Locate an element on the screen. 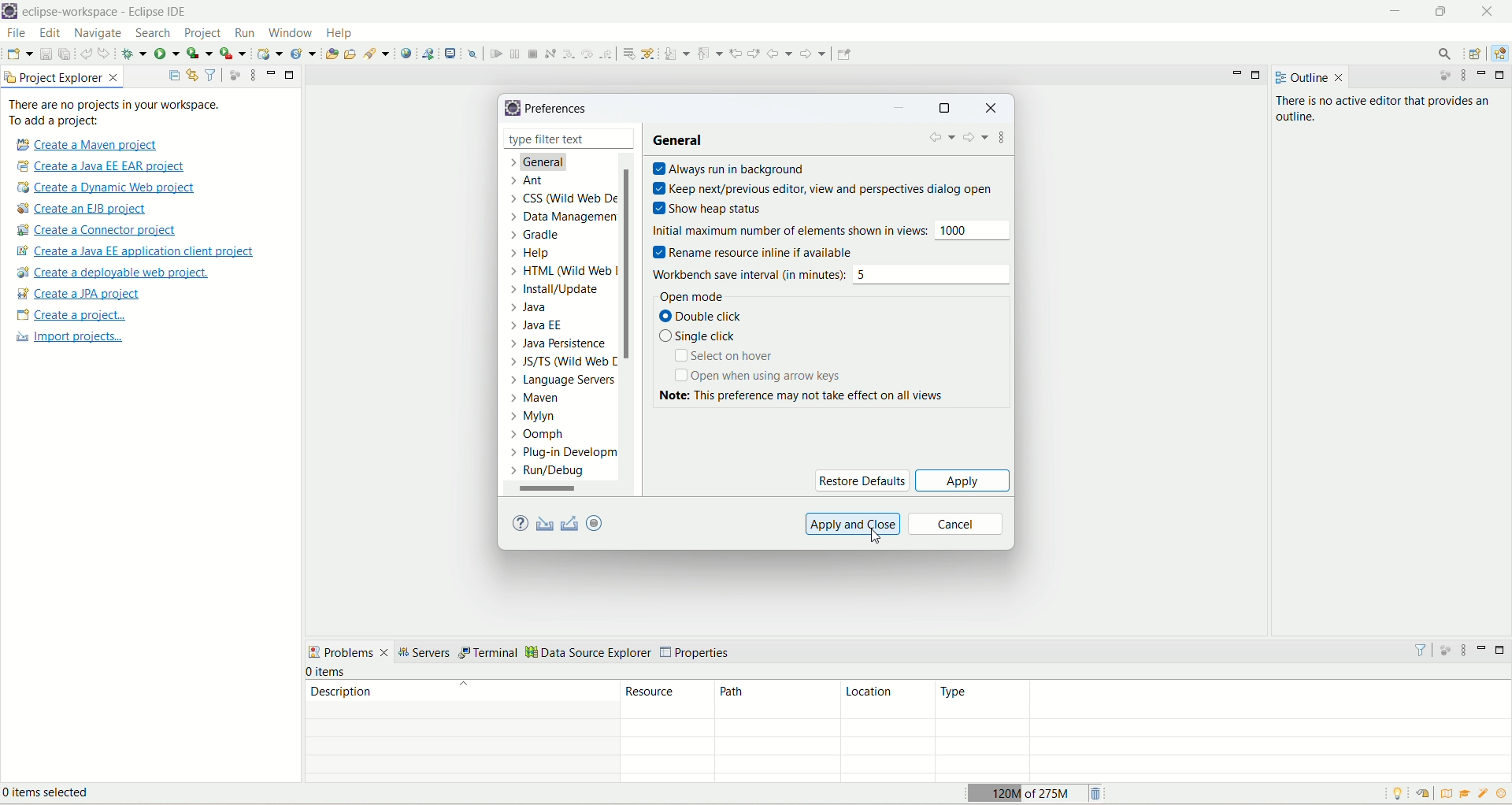 This screenshot has height=805, width=1512. use step filters is located at coordinates (649, 53).